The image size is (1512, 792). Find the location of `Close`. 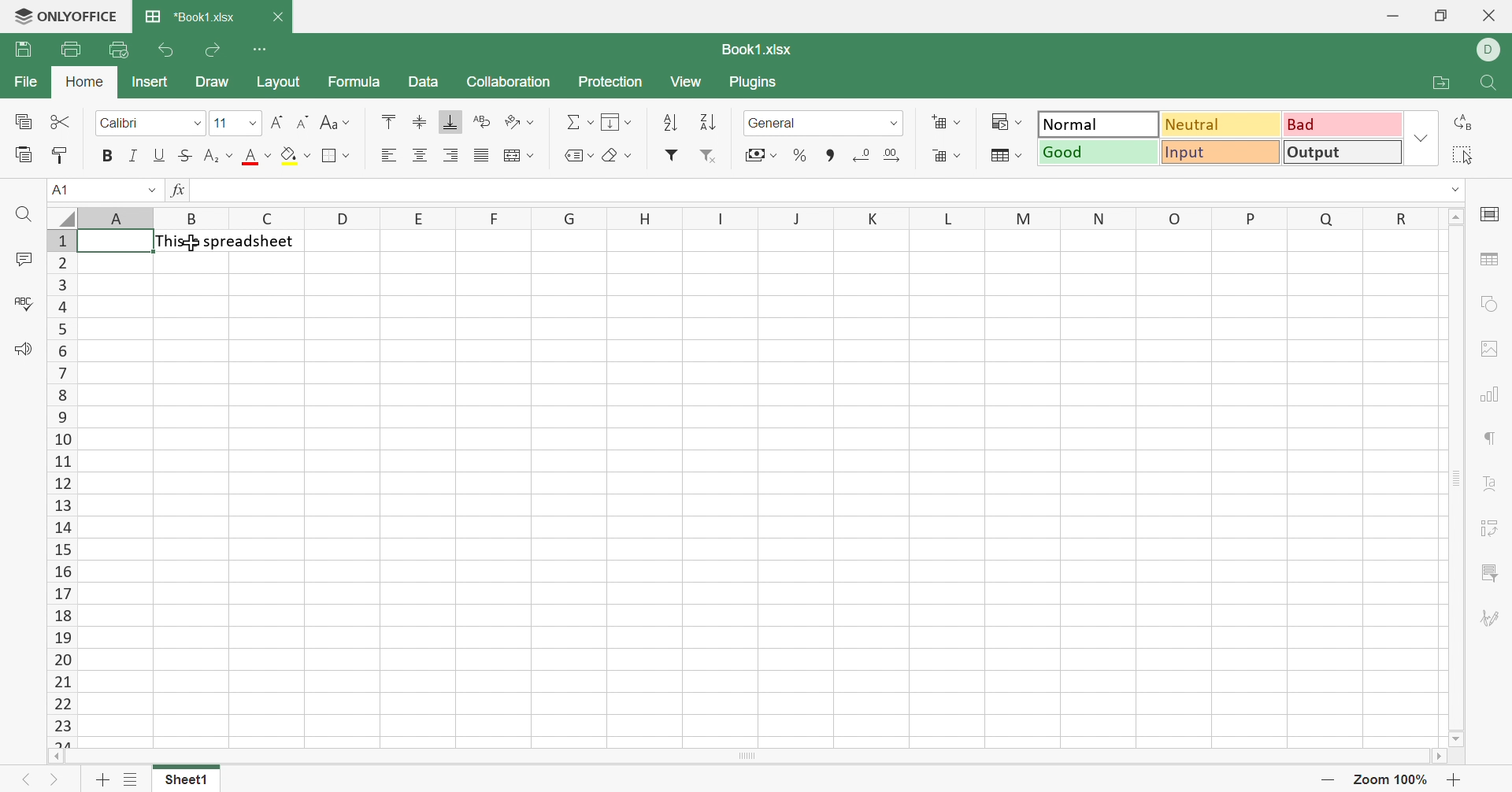

Close is located at coordinates (280, 17).